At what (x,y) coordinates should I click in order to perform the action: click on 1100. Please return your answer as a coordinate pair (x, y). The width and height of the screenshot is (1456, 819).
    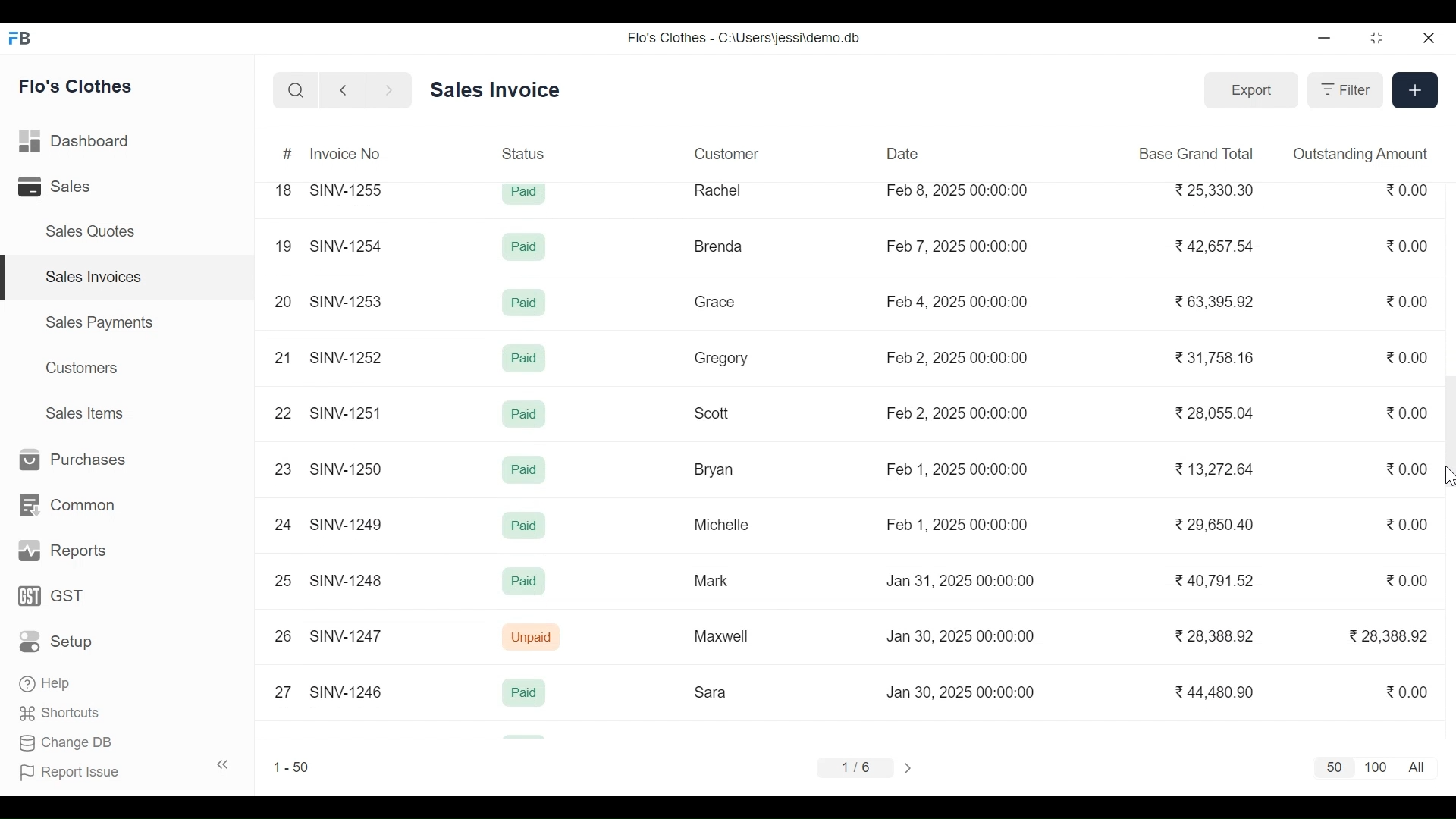
    Looking at the image, I should click on (1376, 768).